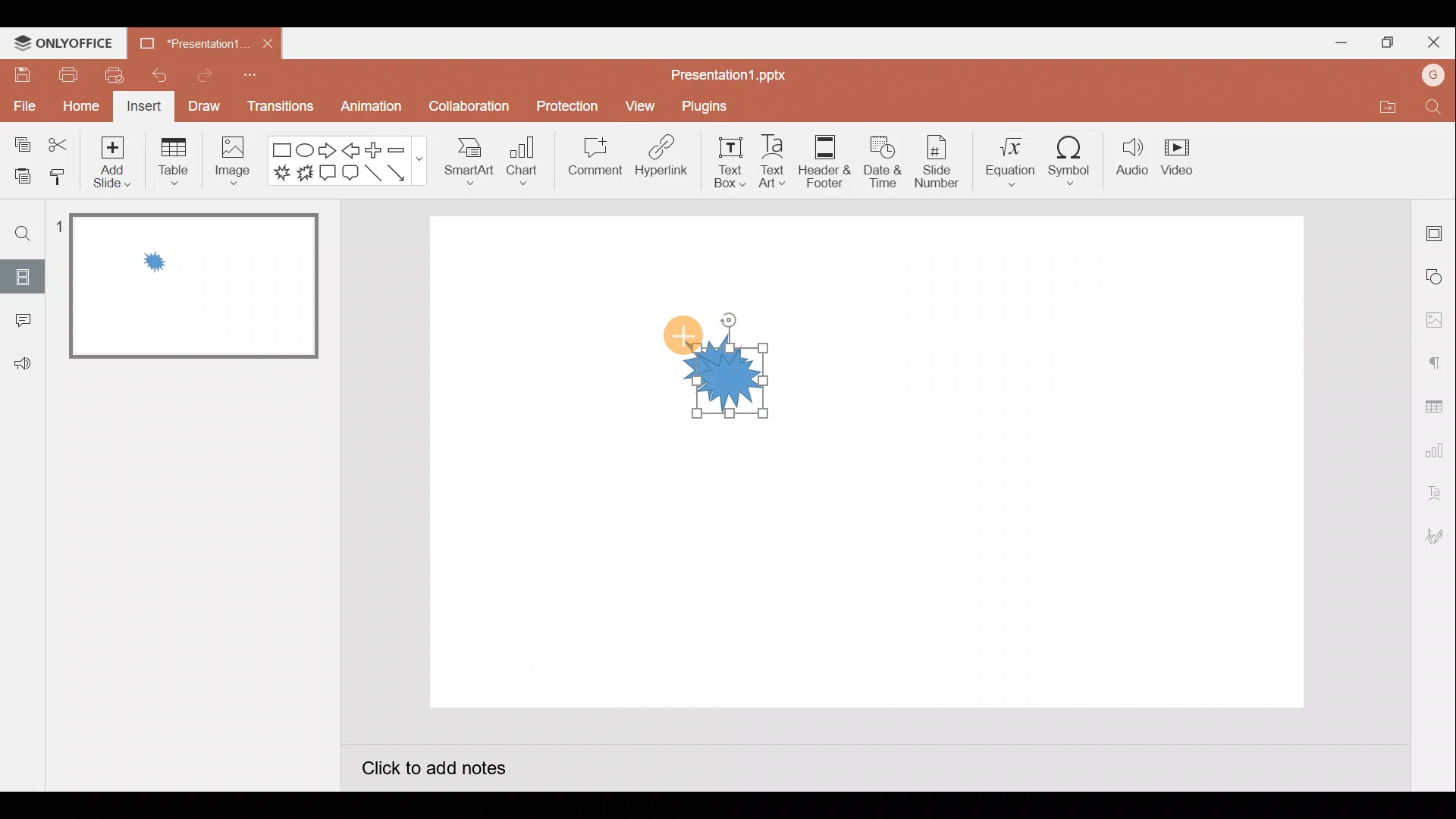 The width and height of the screenshot is (1456, 819). What do you see at coordinates (639, 105) in the screenshot?
I see `View` at bounding box center [639, 105].